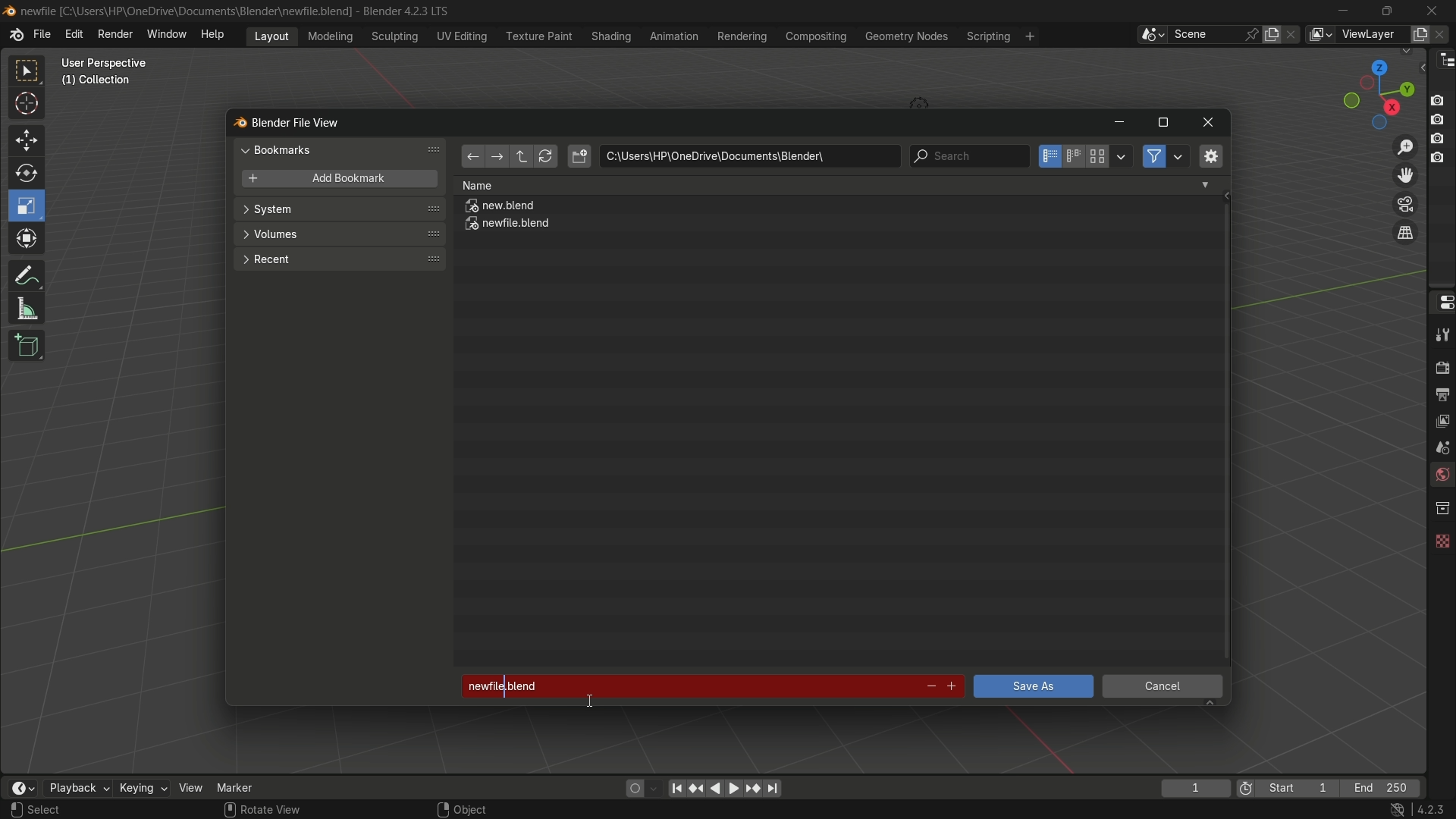 Image resolution: width=1456 pixels, height=819 pixels. What do you see at coordinates (987, 36) in the screenshot?
I see `scripting menu` at bounding box center [987, 36].